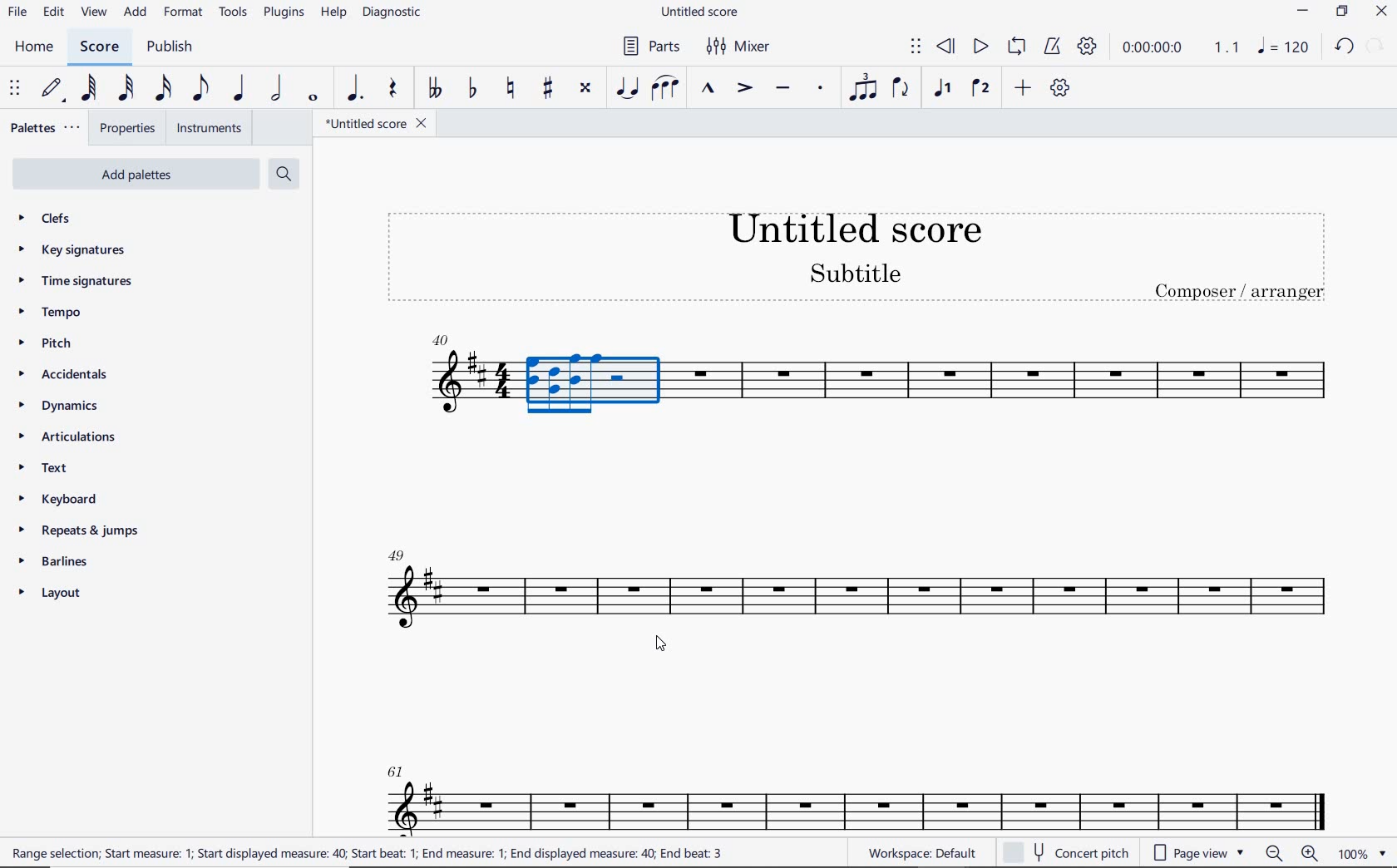 Image resolution: width=1397 pixels, height=868 pixels. Describe the element at coordinates (134, 173) in the screenshot. I see `ADD PALETTES` at that location.